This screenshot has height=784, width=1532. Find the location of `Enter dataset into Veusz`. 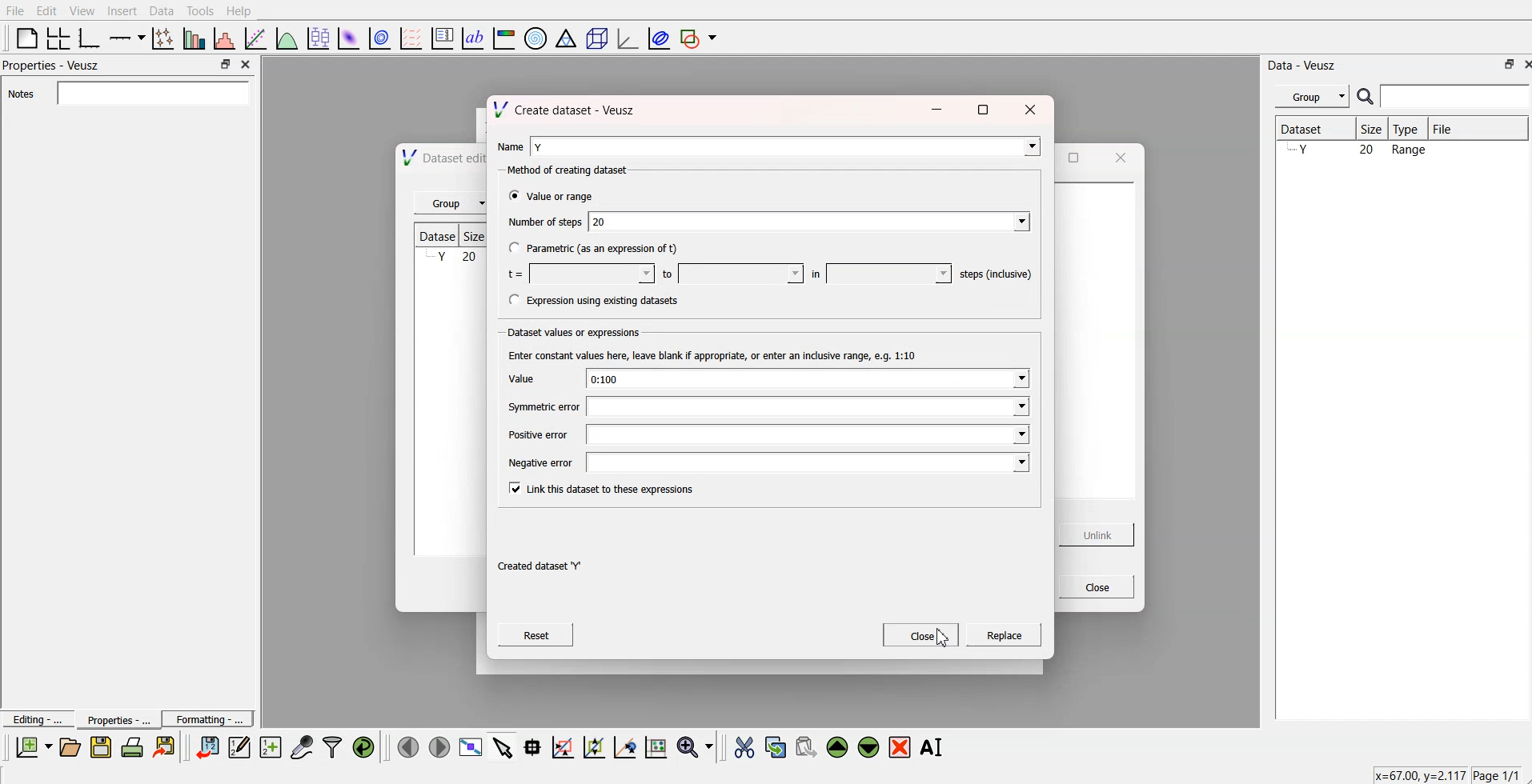

Enter dataset into Veusz is located at coordinates (206, 747).